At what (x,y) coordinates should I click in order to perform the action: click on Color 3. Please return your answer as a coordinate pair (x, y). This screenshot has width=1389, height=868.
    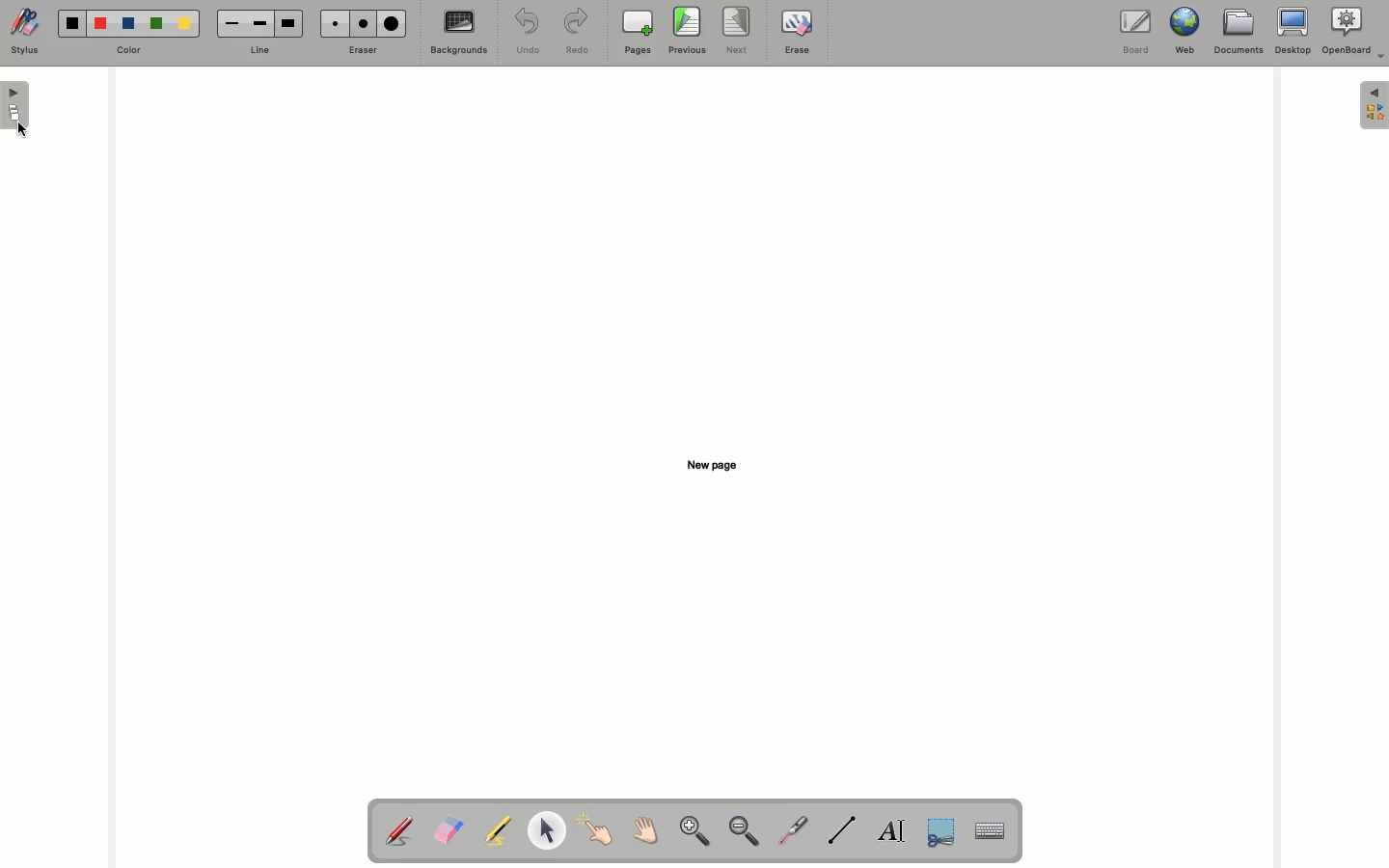
    Looking at the image, I should click on (128, 24).